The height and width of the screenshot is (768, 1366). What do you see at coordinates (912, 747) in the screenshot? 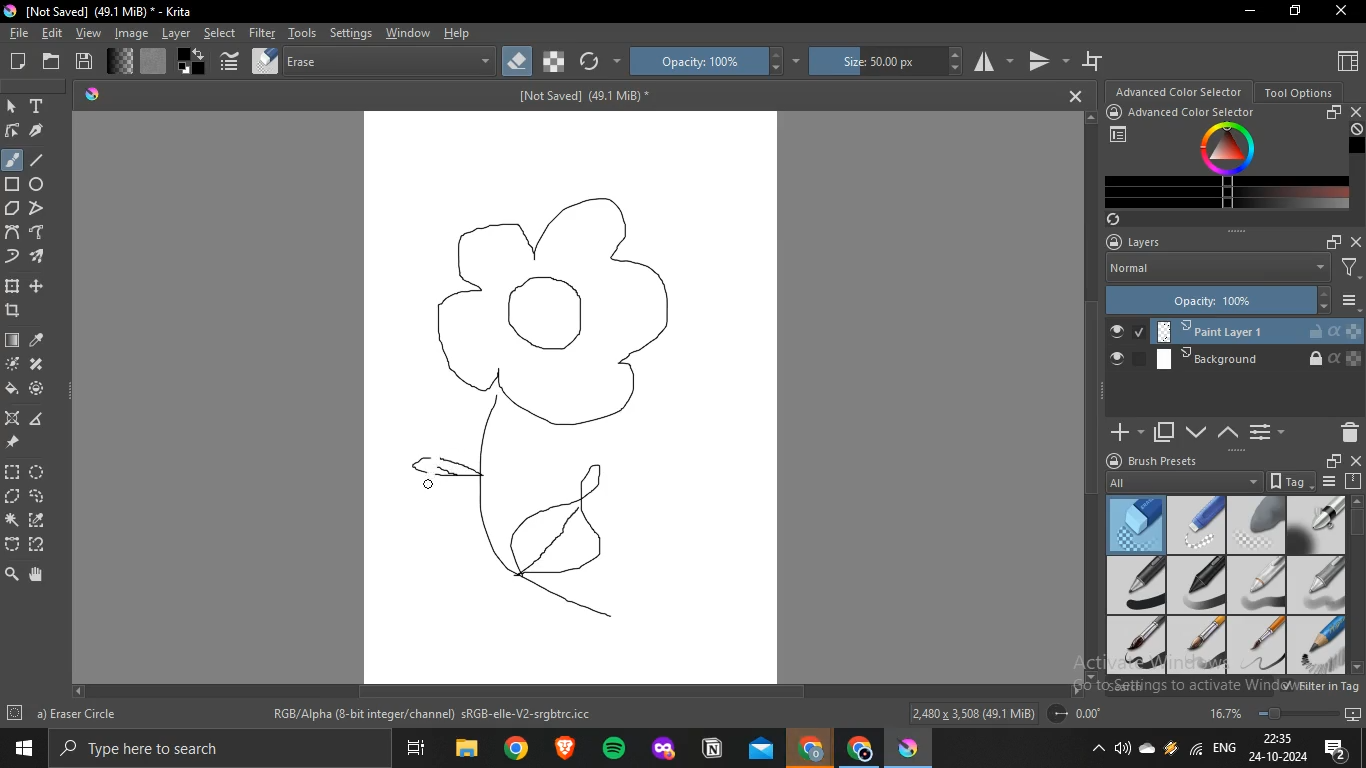
I see `Application` at bounding box center [912, 747].